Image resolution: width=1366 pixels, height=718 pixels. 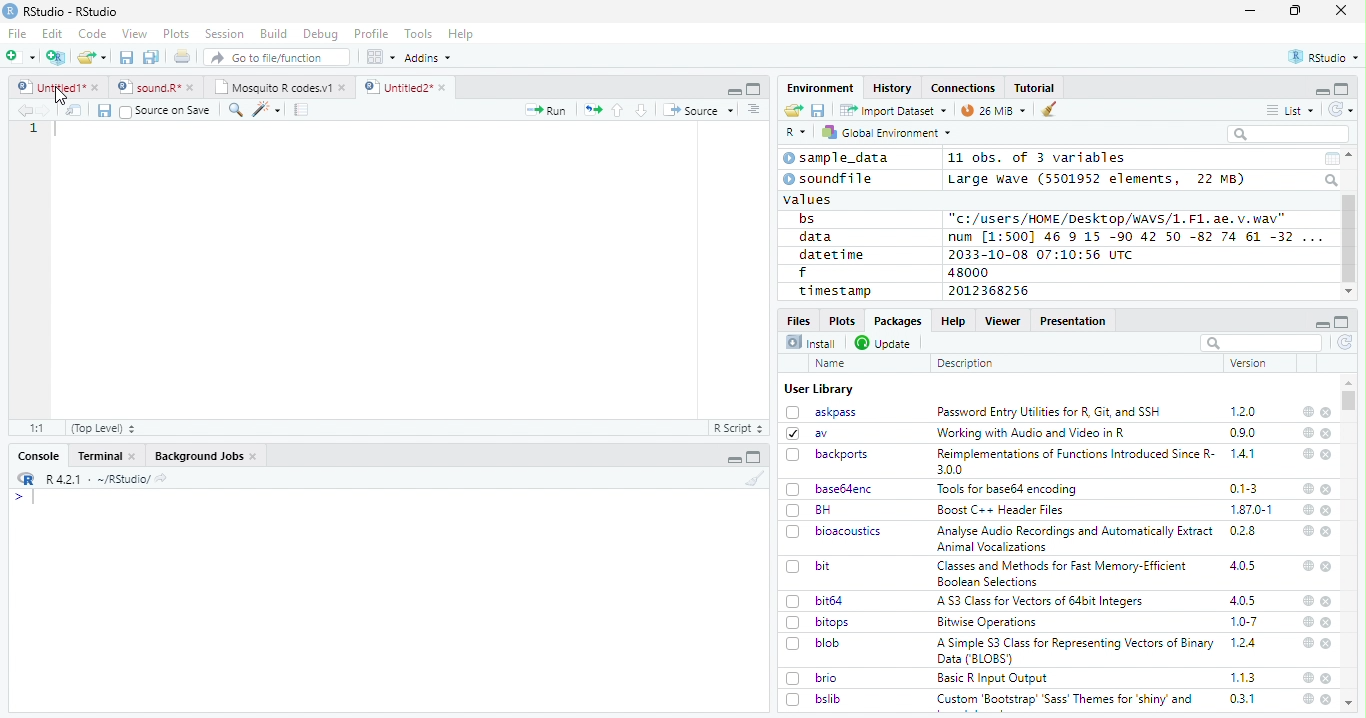 I want to click on typing cursor, so click(x=24, y=497).